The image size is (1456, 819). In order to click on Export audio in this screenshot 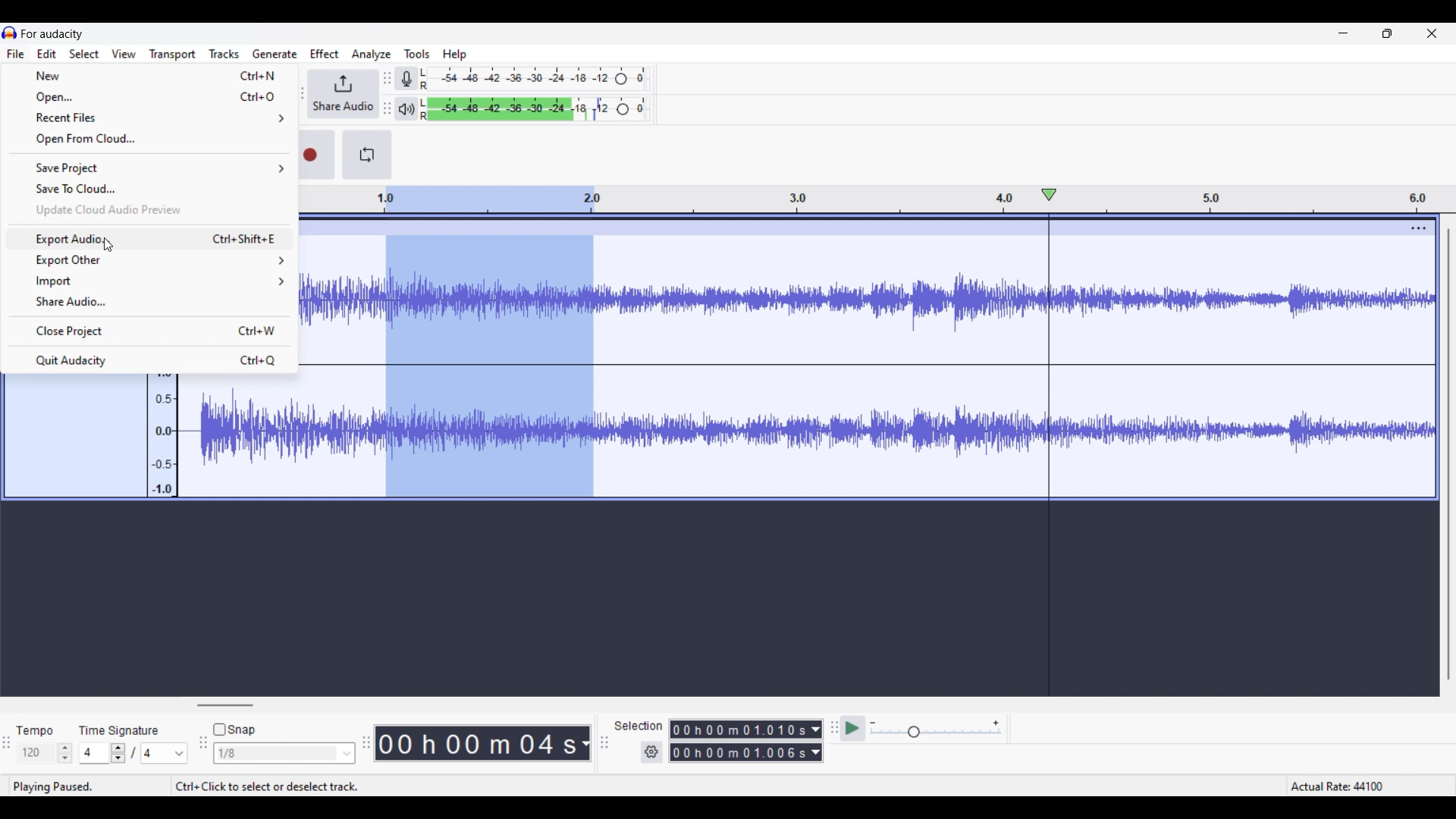, I will do `click(148, 239)`.